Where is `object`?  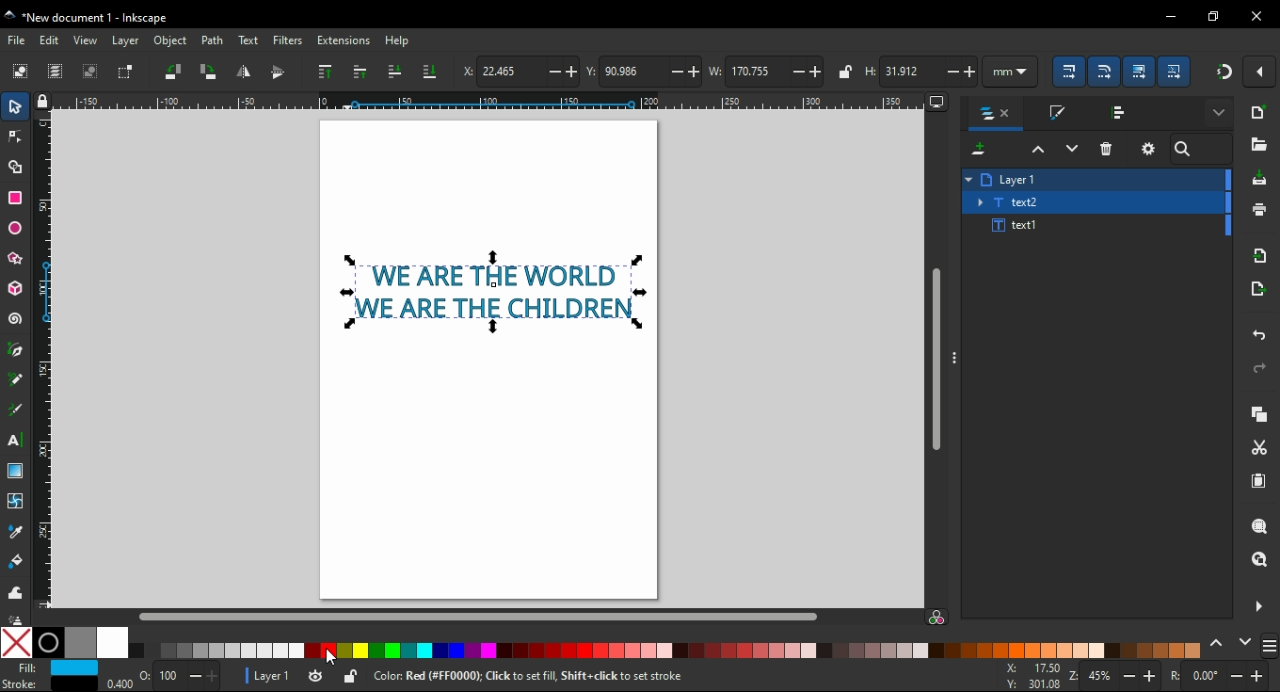 object is located at coordinates (170, 42).